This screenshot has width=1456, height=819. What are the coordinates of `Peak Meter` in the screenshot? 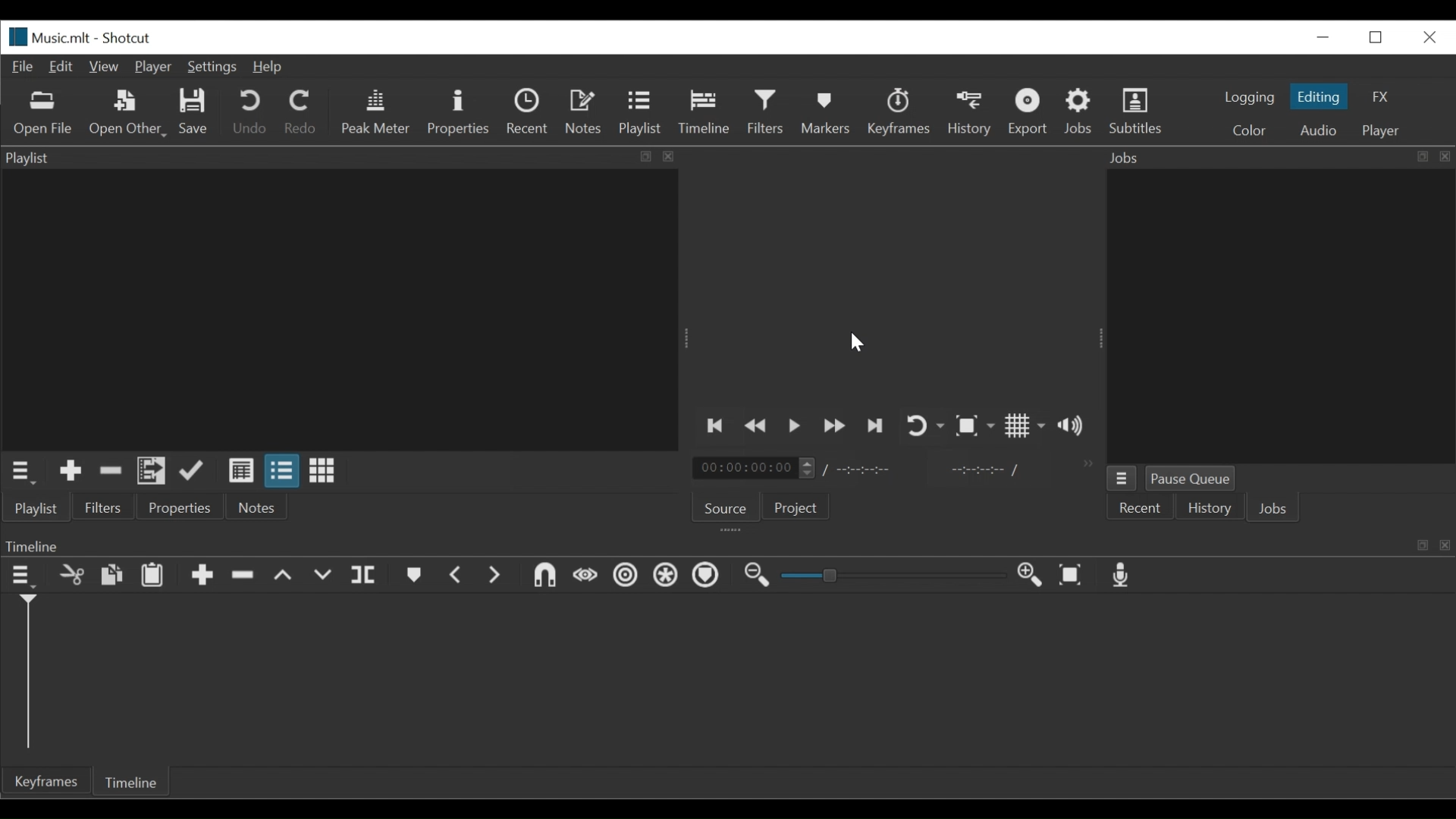 It's located at (375, 111).